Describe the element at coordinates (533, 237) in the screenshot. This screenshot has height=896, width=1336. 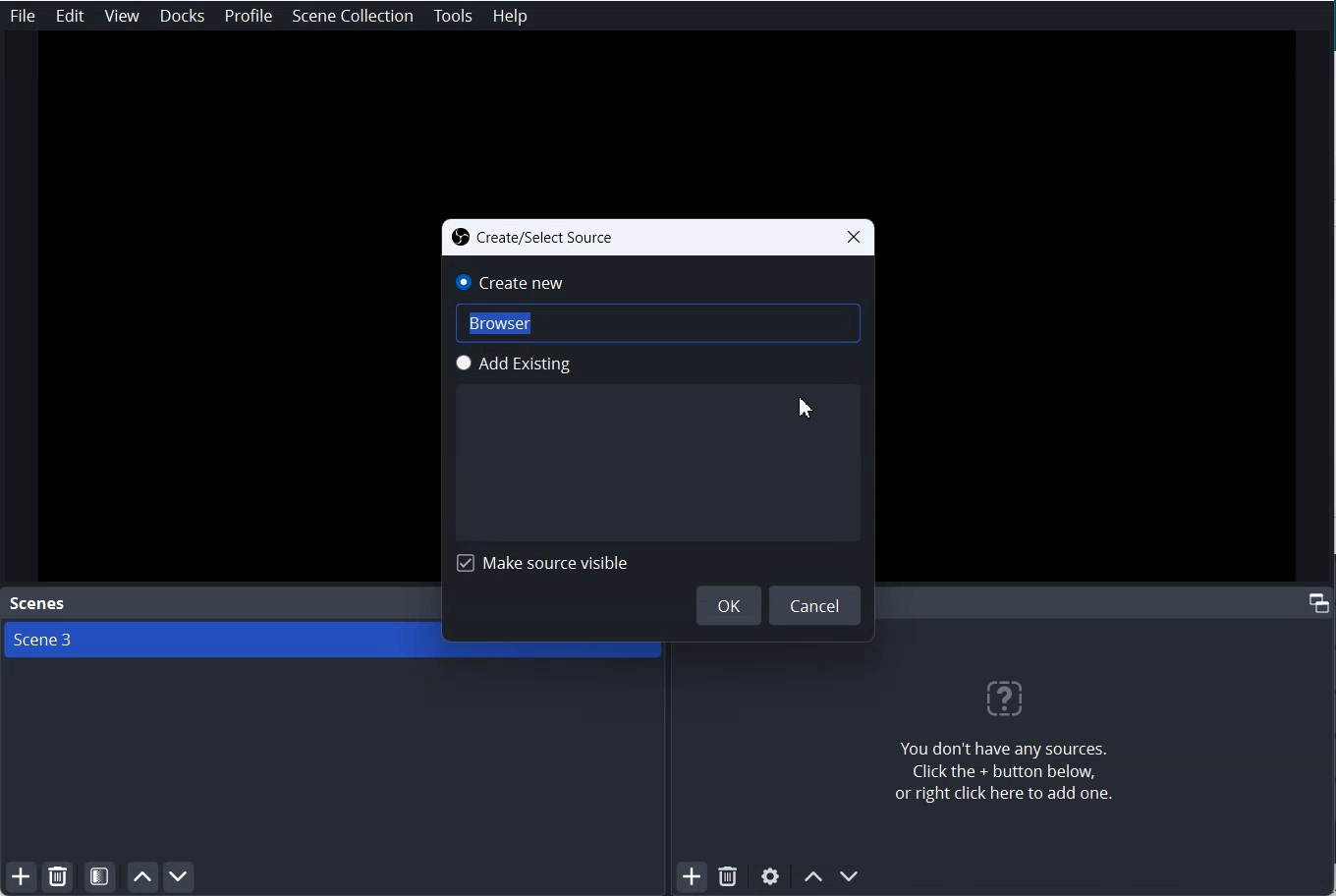
I see `Create/select source` at that location.